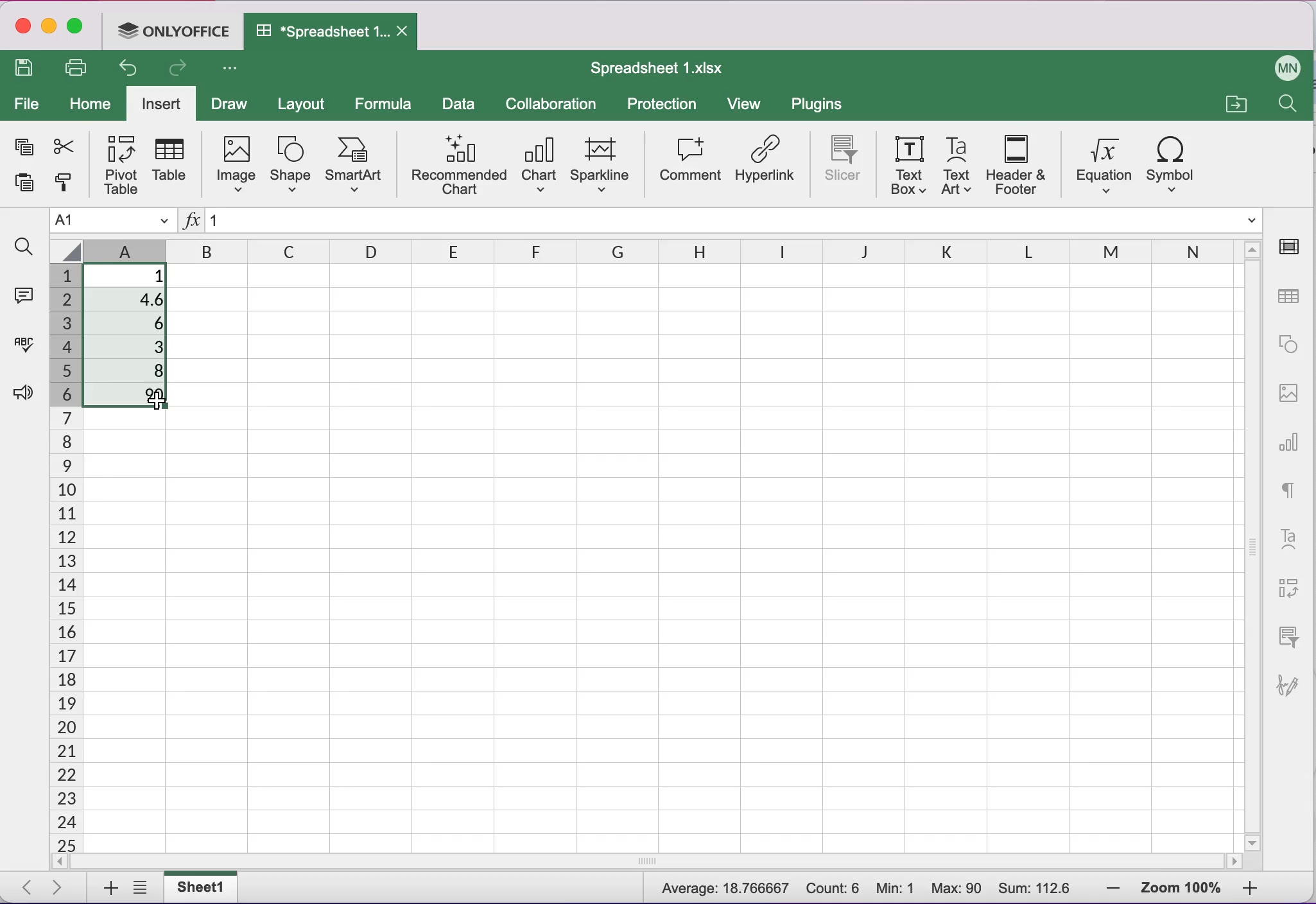  What do you see at coordinates (124, 68) in the screenshot?
I see `undo` at bounding box center [124, 68].